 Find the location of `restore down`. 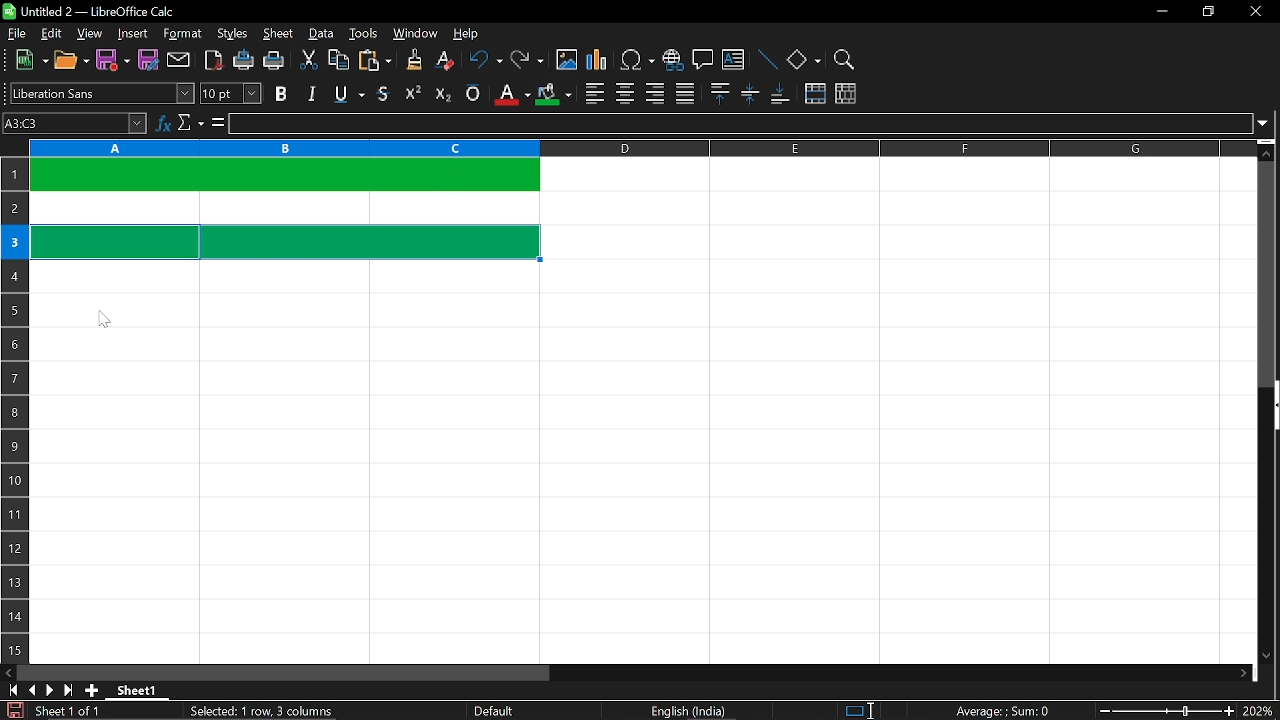

restore down is located at coordinates (1207, 10).